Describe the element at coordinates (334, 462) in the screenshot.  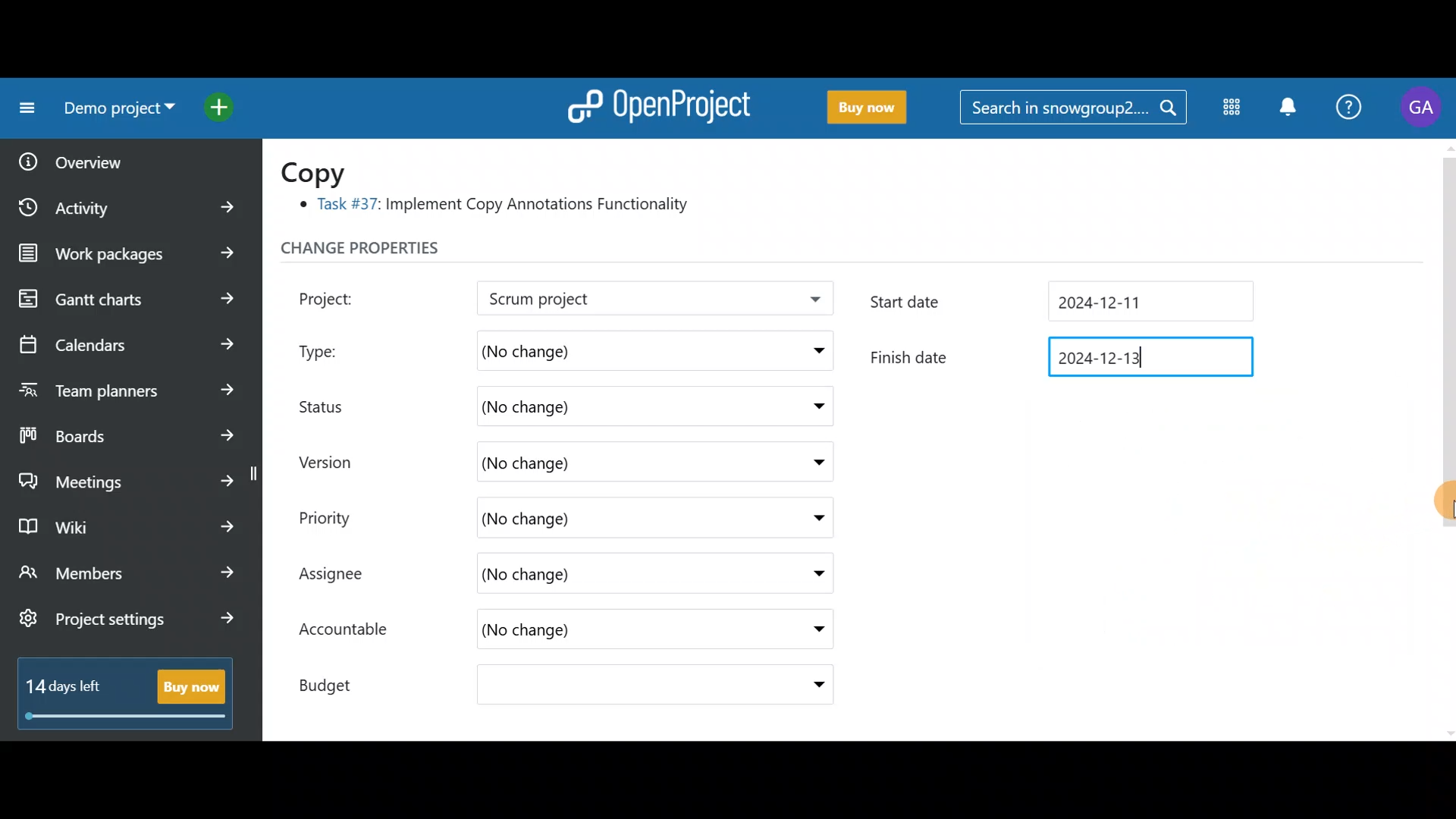
I see `Version` at that location.